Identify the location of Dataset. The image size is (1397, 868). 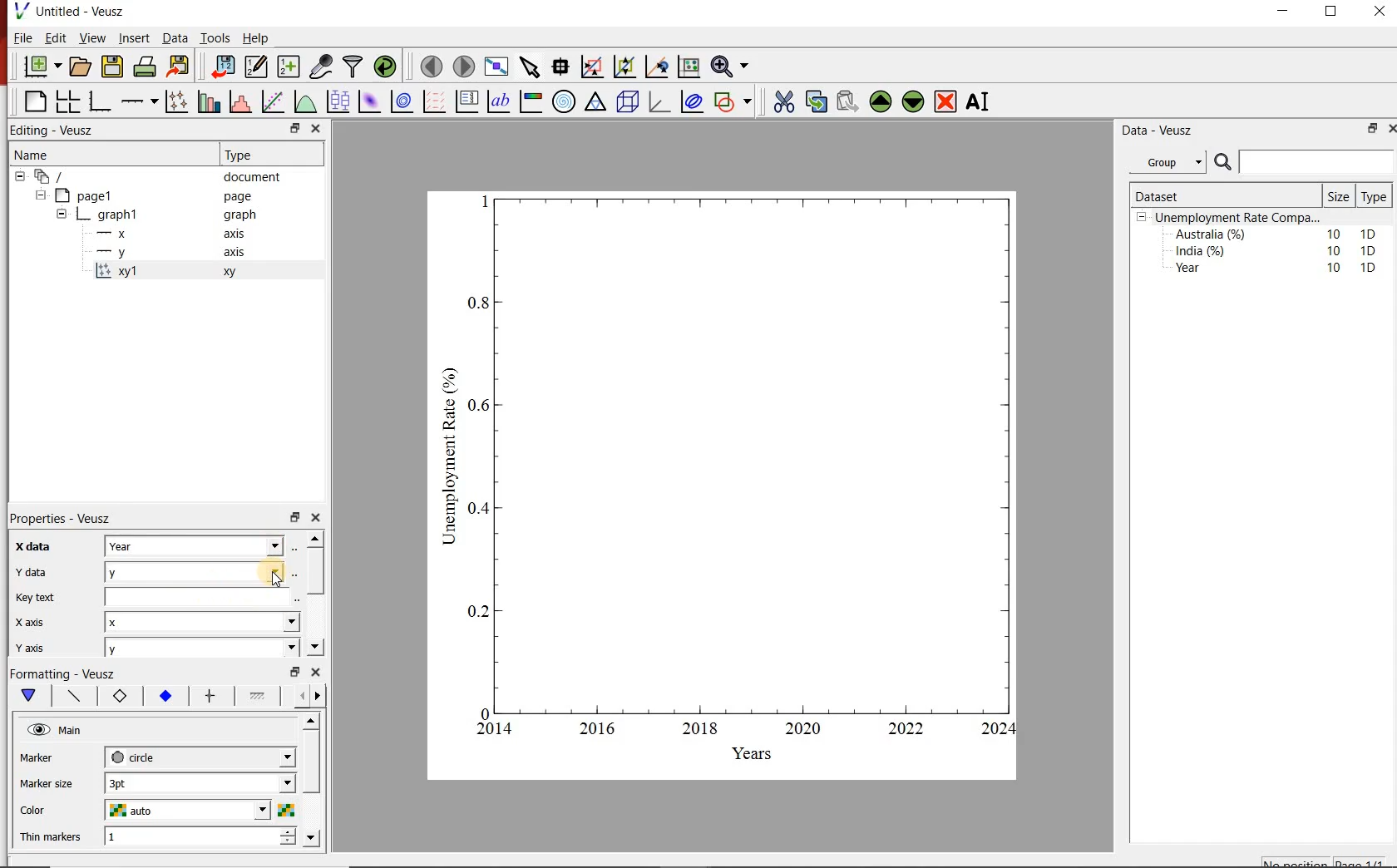
(1196, 196).